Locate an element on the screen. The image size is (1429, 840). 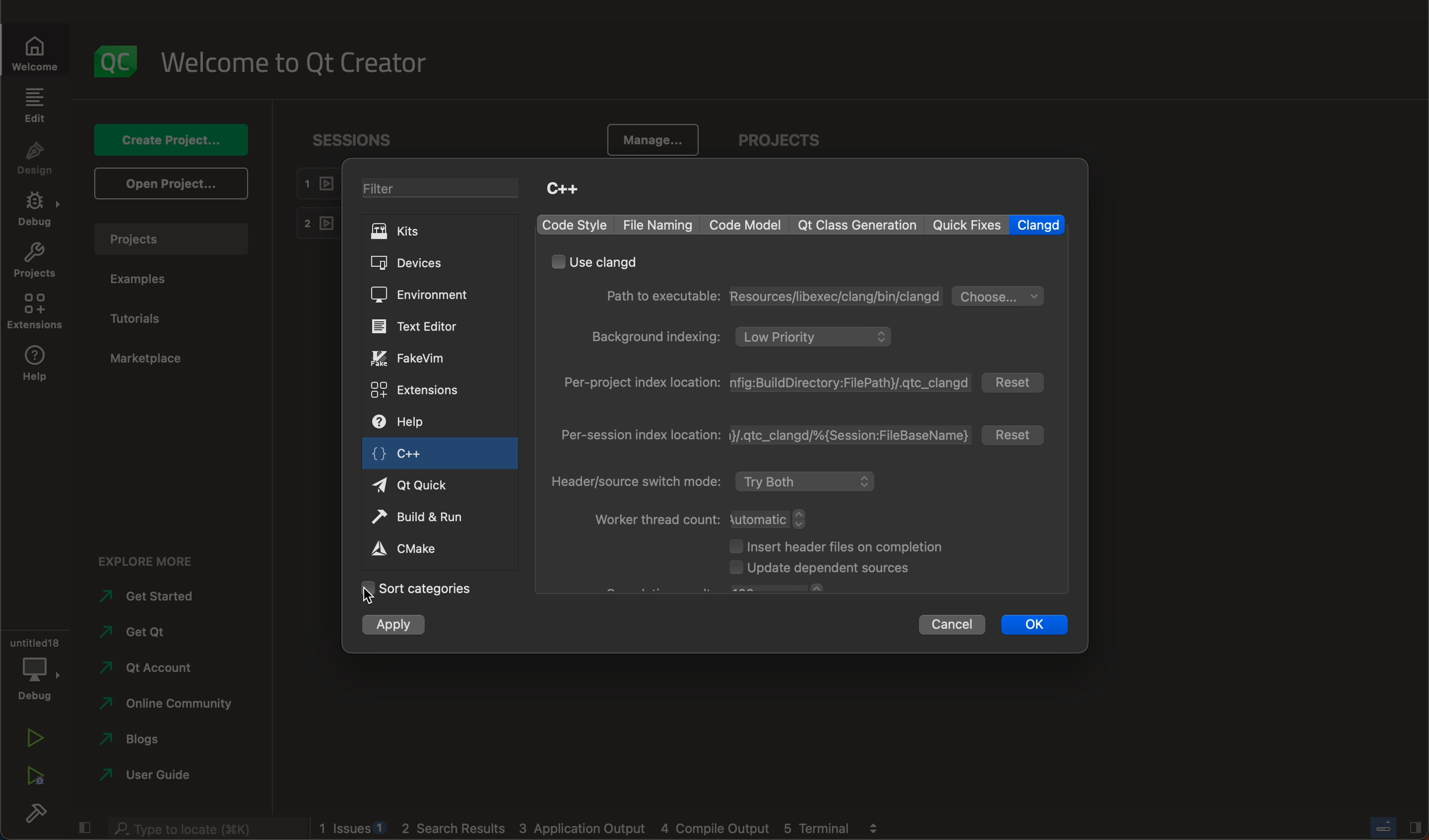
community is located at coordinates (171, 703).